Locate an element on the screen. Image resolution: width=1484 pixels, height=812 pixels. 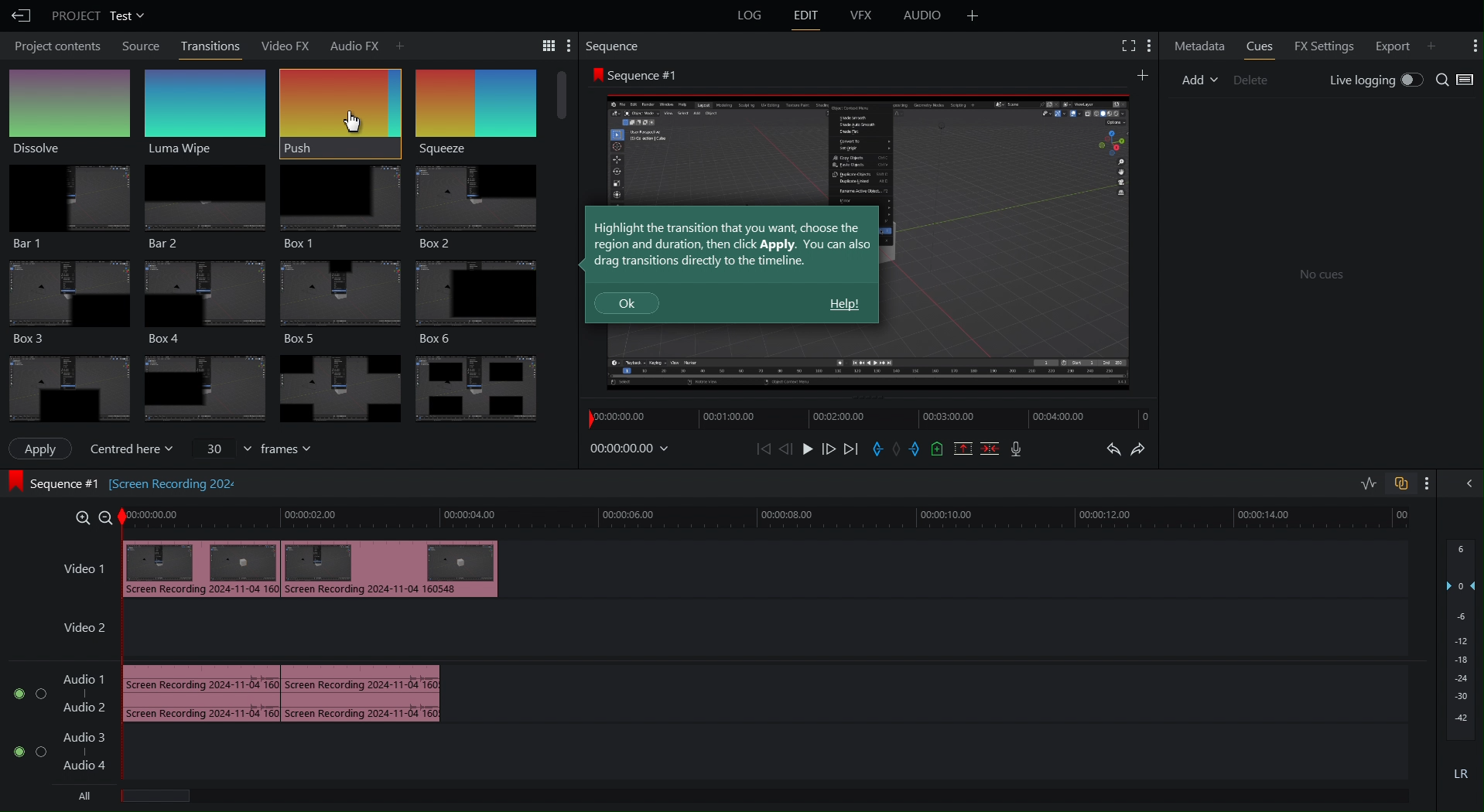
Squeeze is located at coordinates (473, 113).